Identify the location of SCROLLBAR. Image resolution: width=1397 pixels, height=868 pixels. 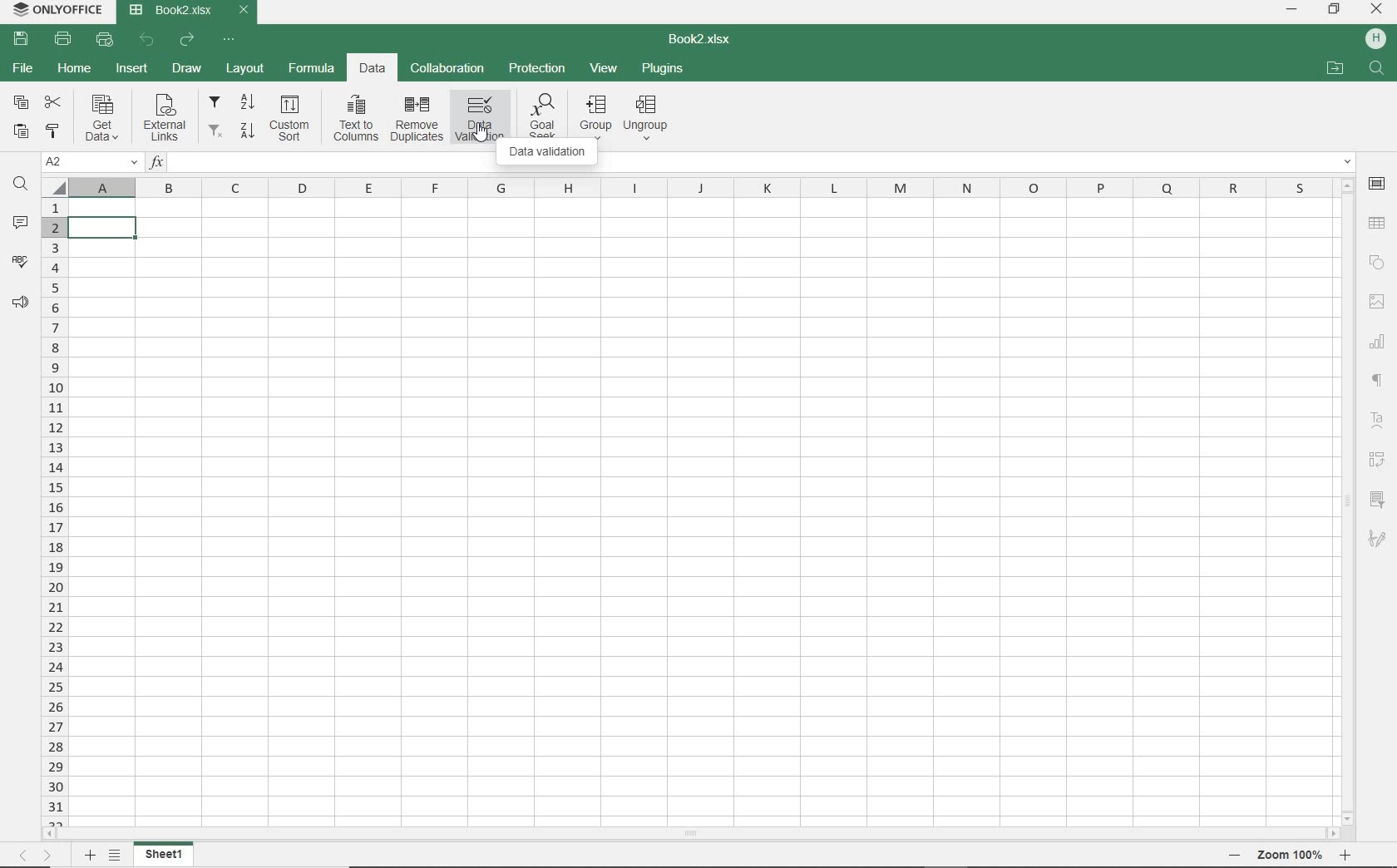
(1348, 496).